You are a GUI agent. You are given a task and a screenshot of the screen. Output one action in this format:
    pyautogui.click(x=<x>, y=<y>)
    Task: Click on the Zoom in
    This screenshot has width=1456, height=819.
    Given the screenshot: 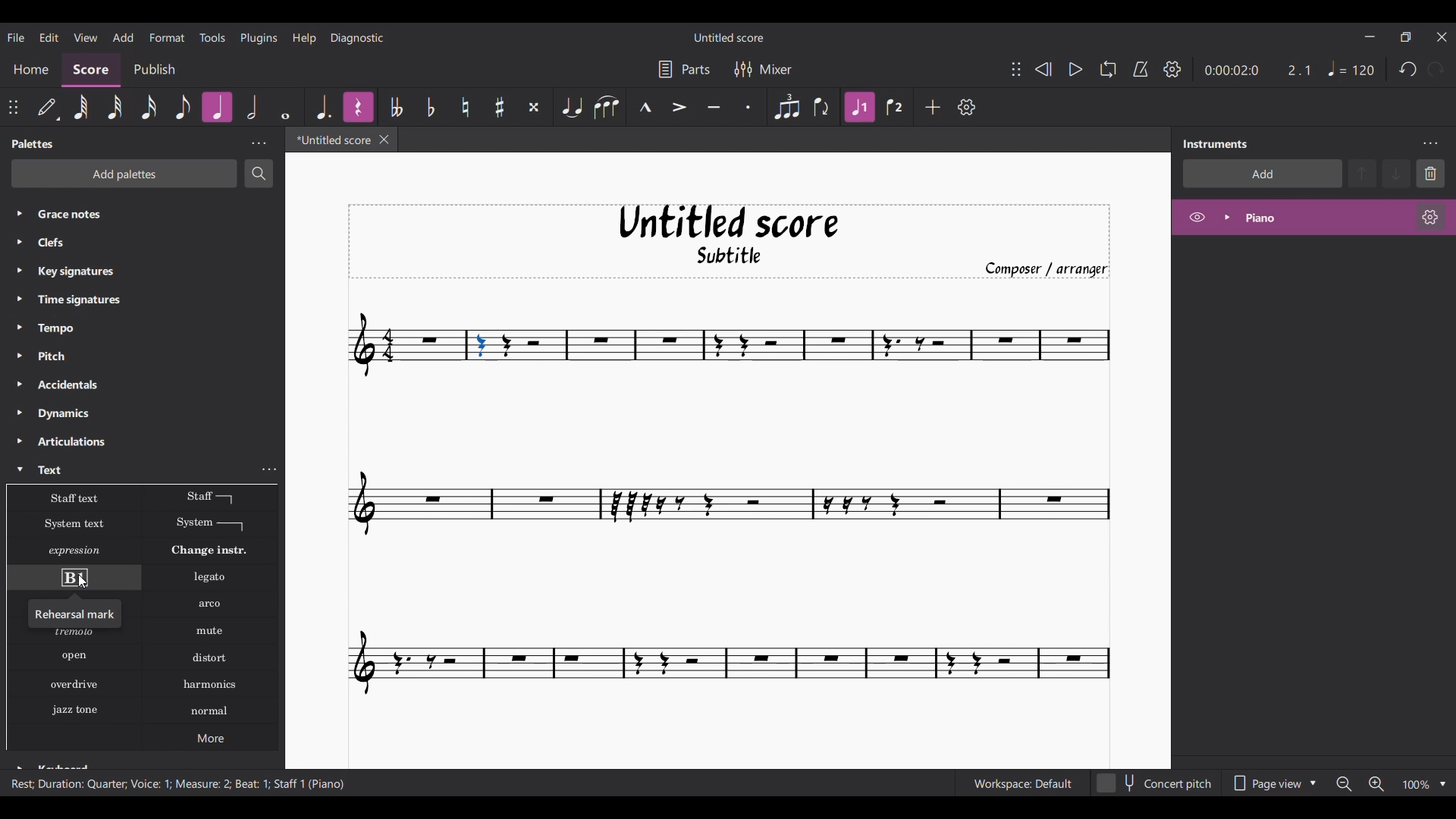 What is the action you would take?
    pyautogui.click(x=1376, y=784)
    